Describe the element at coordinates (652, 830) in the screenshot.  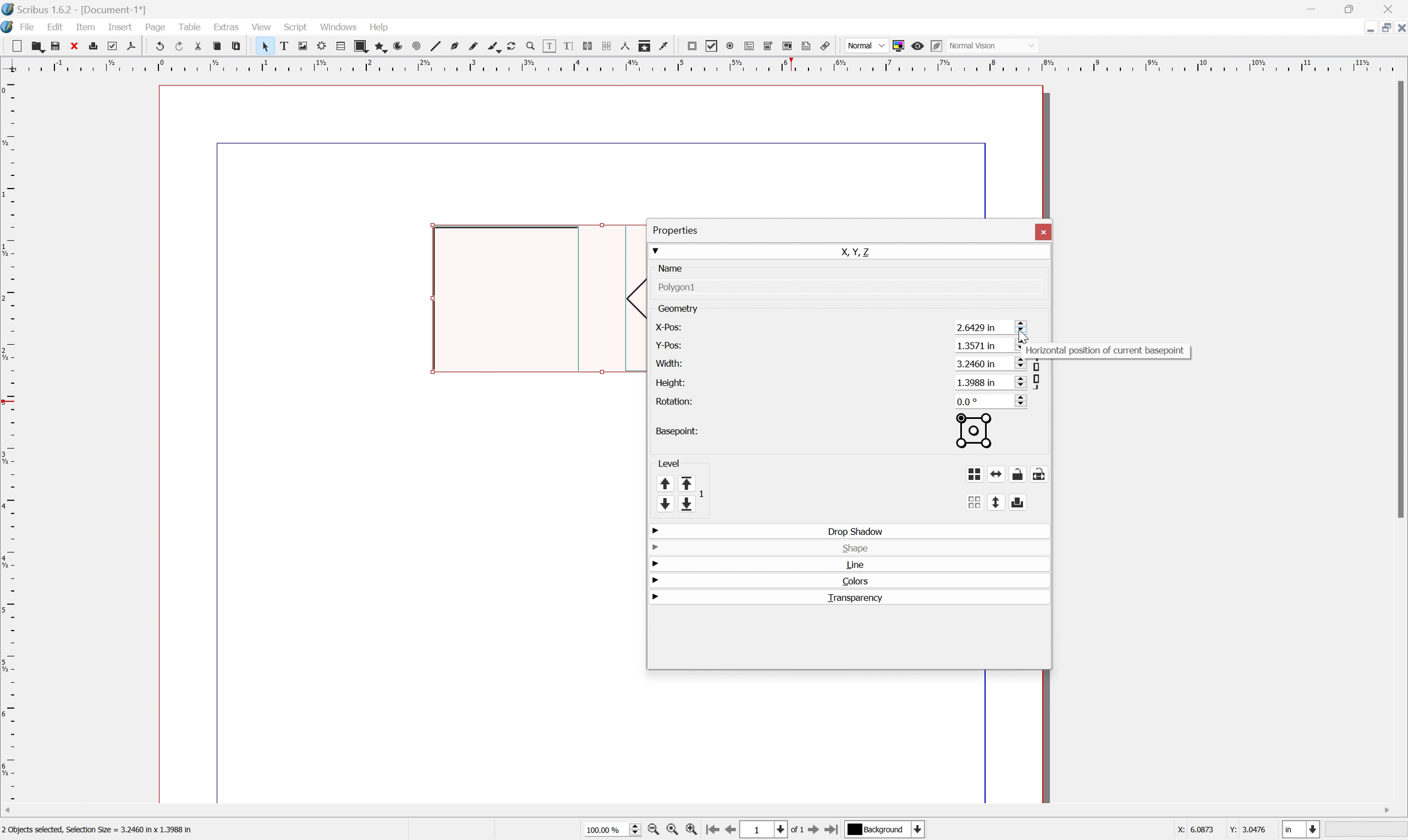
I see `Zoom in` at that location.